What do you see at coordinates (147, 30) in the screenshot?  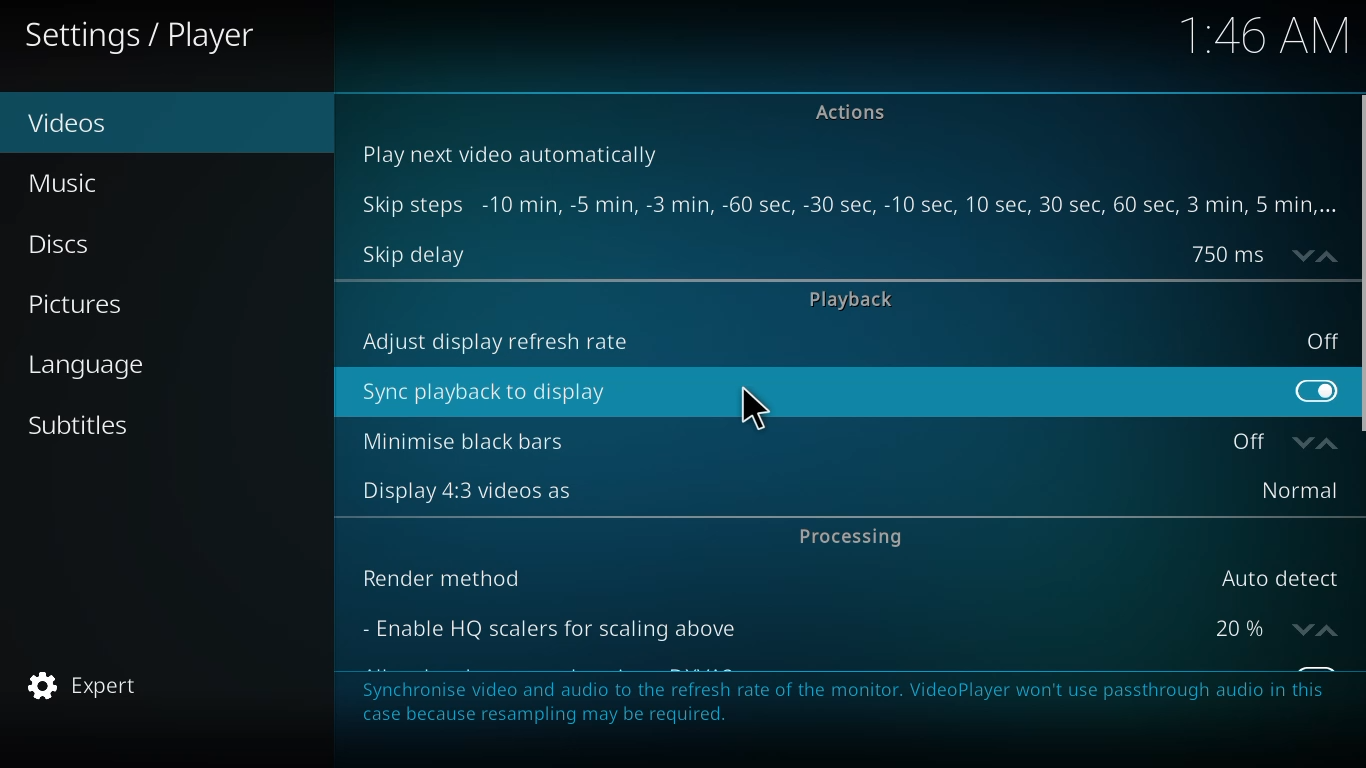 I see `player` at bounding box center [147, 30].